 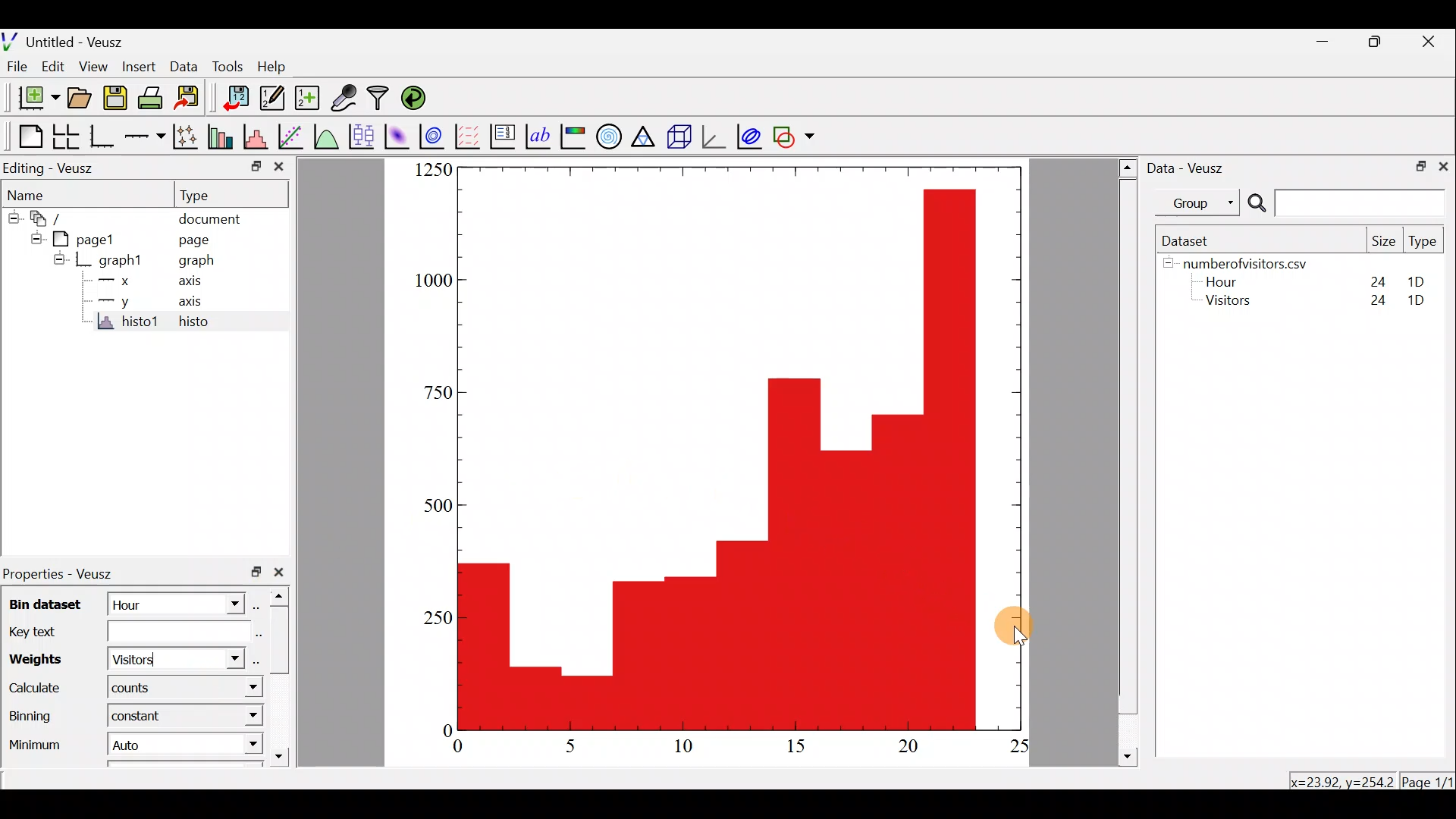 I want to click on plot a 2d dataset as an image, so click(x=399, y=135).